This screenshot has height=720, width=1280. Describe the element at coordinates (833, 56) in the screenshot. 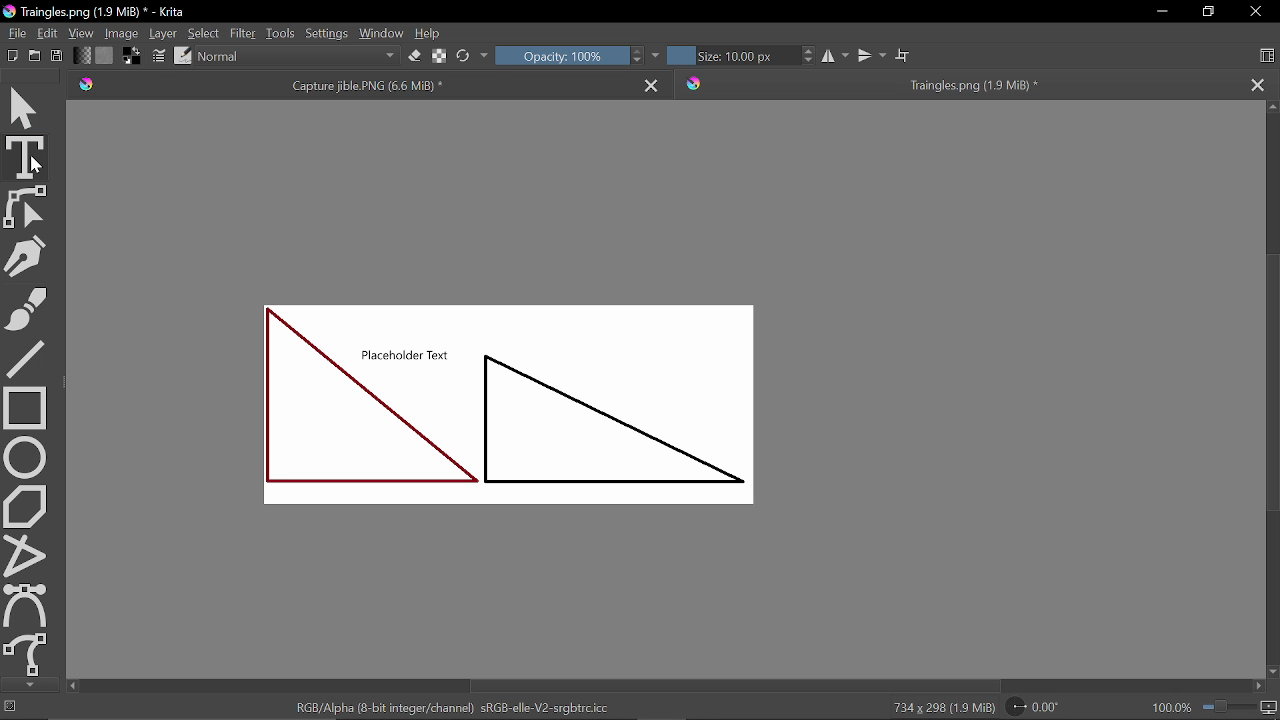

I see `Horizontal mirror` at that location.